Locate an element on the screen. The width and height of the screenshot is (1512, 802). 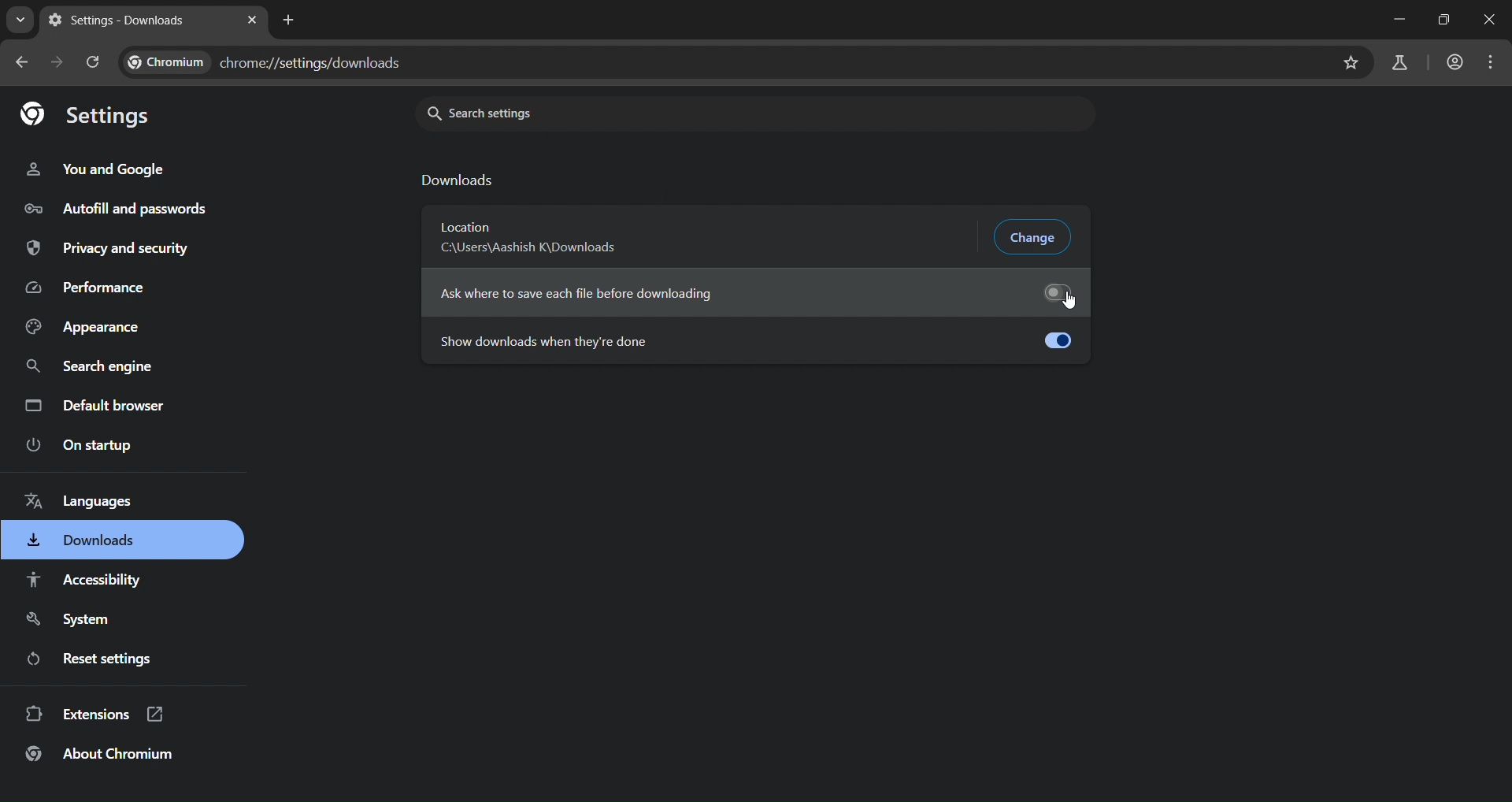
you and google is located at coordinates (94, 167).